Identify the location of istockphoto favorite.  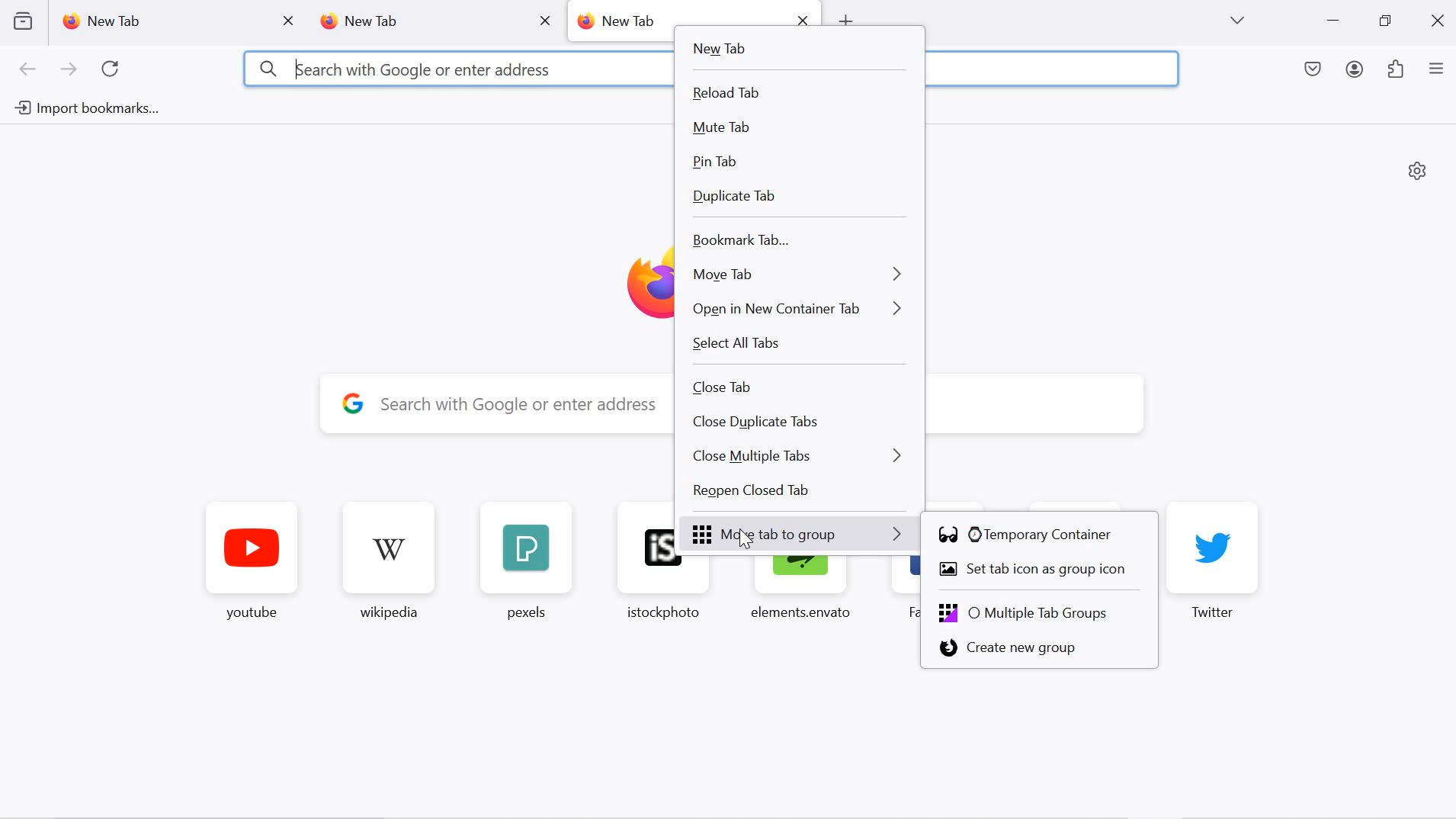
(656, 592).